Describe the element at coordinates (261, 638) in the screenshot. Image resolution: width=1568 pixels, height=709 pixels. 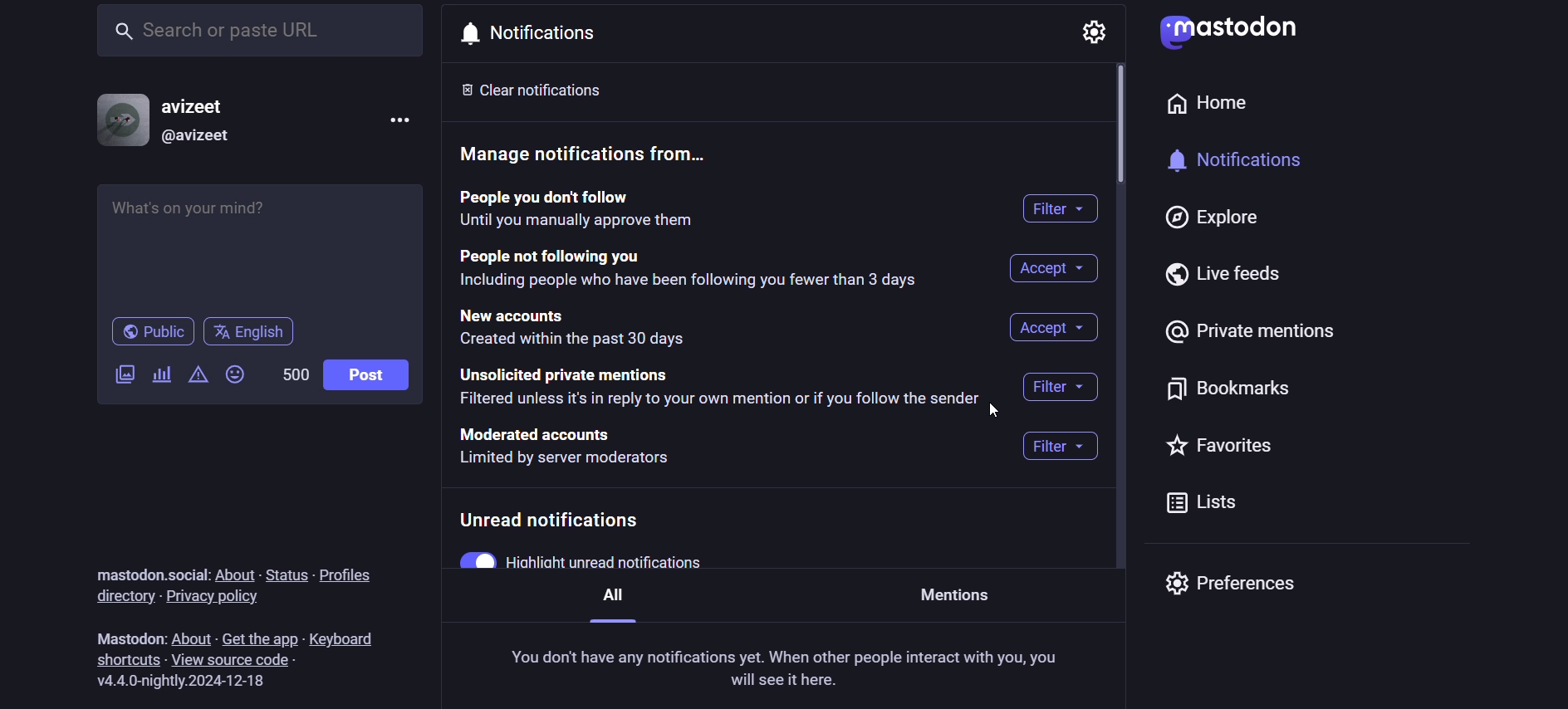
I see `Get the app` at that location.